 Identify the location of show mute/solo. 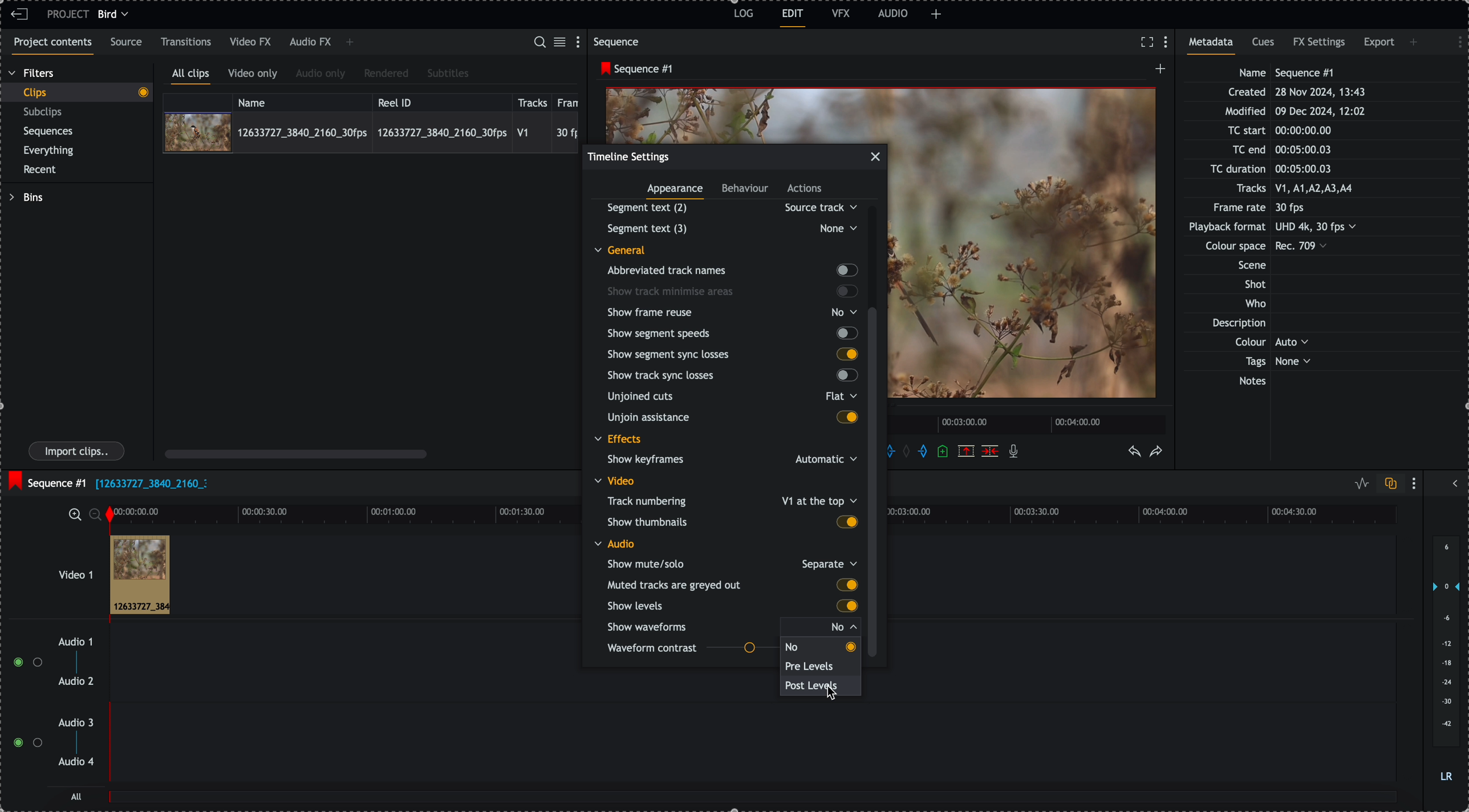
(731, 563).